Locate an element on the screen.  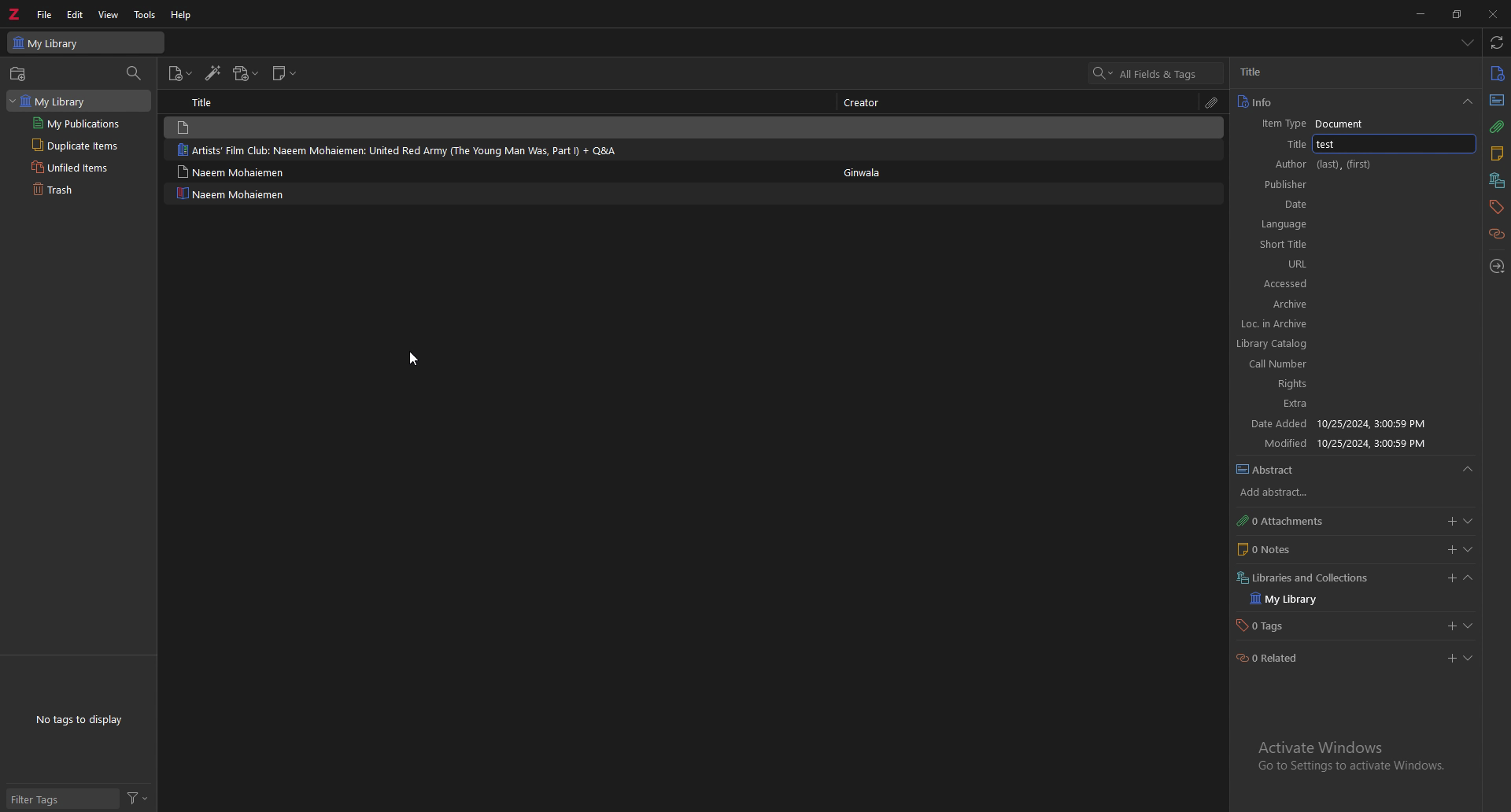
series is located at coordinates (1302, 204).